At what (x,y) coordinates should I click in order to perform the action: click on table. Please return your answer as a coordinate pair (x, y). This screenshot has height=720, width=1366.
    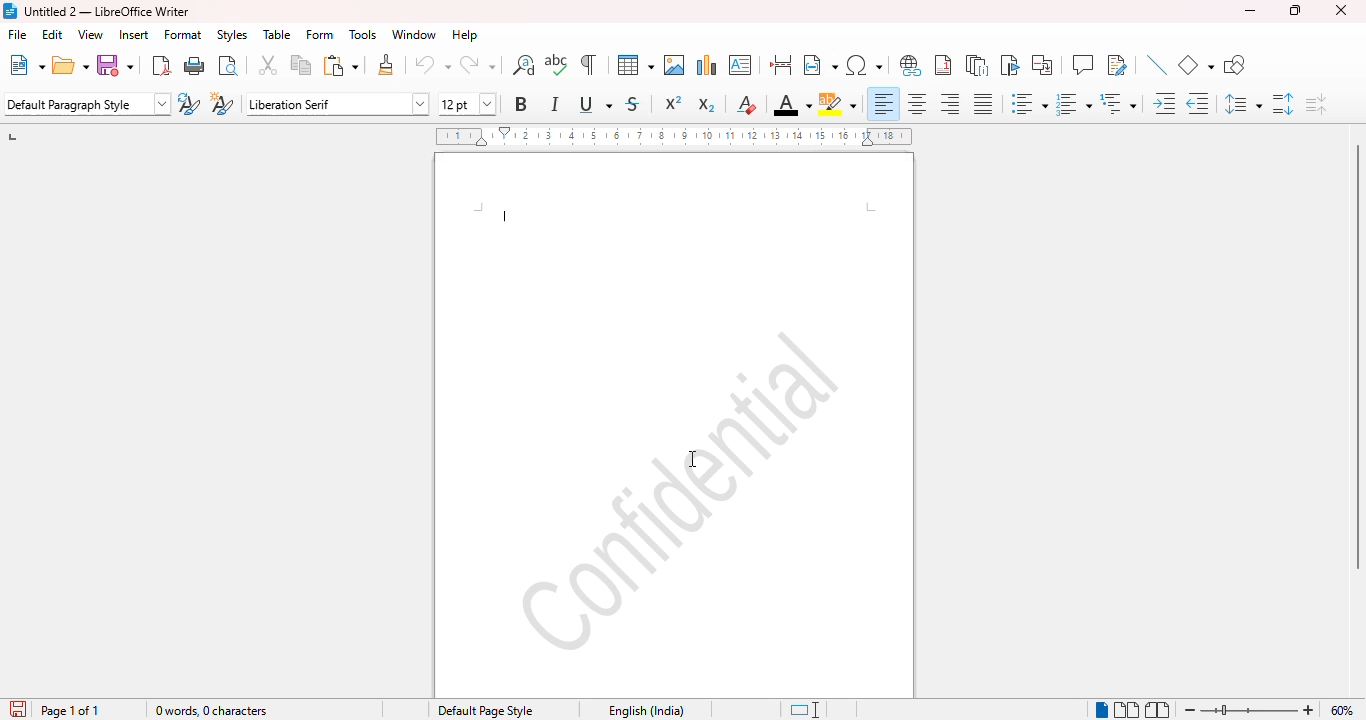
    Looking at the image, I should click on (277, 34).